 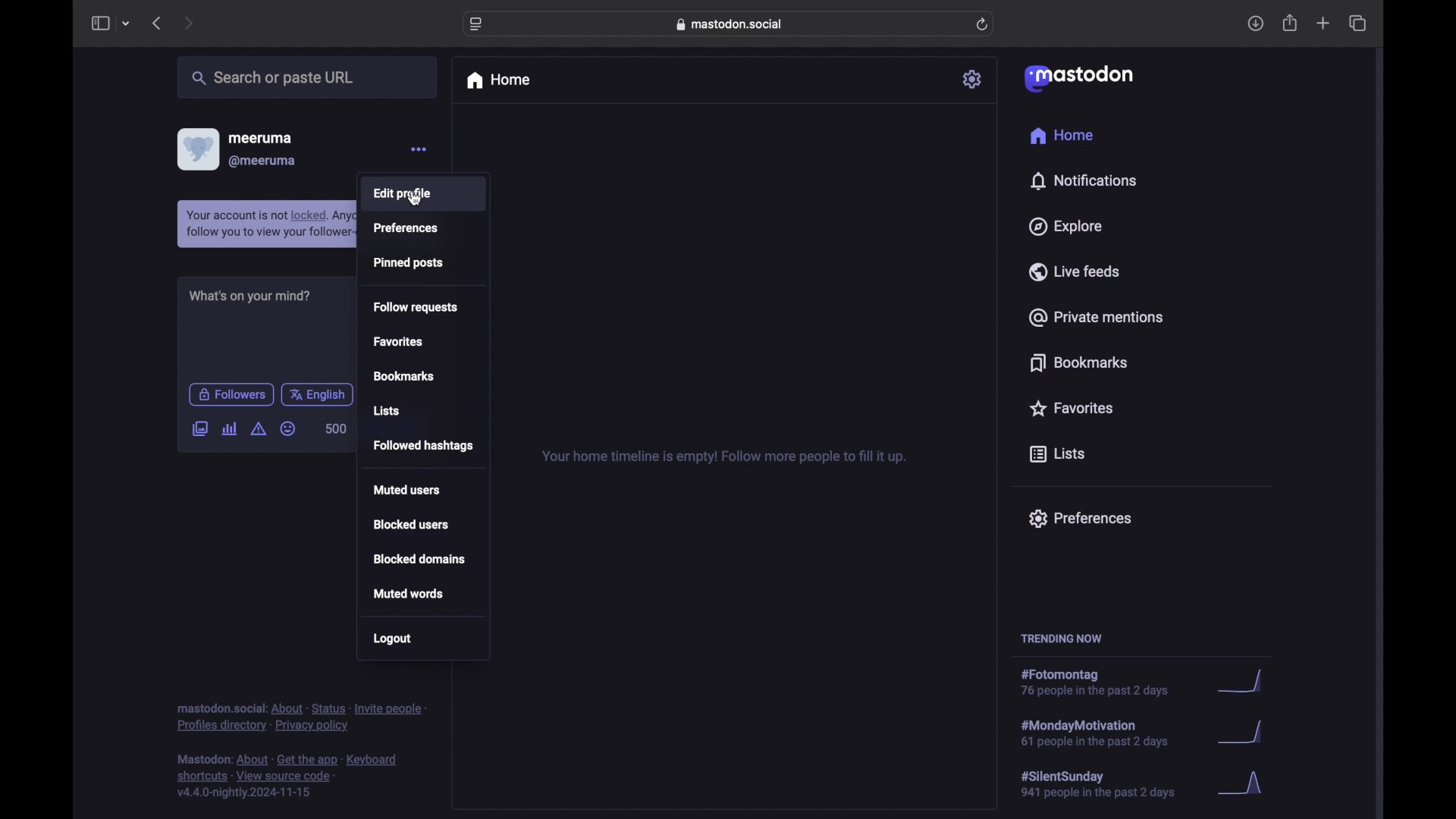 I want to click on new tab, so click(x=1323, y=25).